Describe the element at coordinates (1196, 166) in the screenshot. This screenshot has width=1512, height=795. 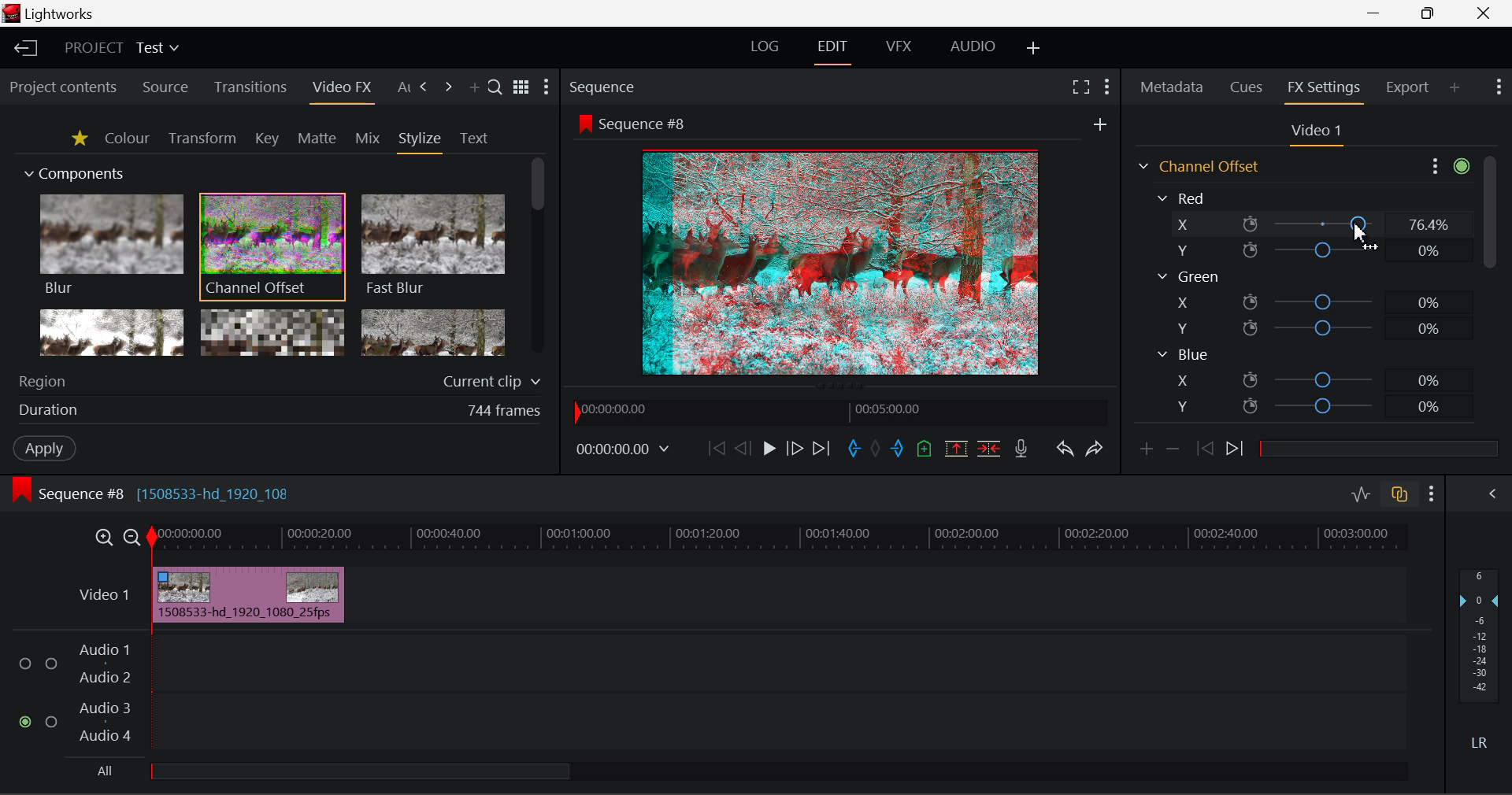
I see `Channel Offset` at that location.